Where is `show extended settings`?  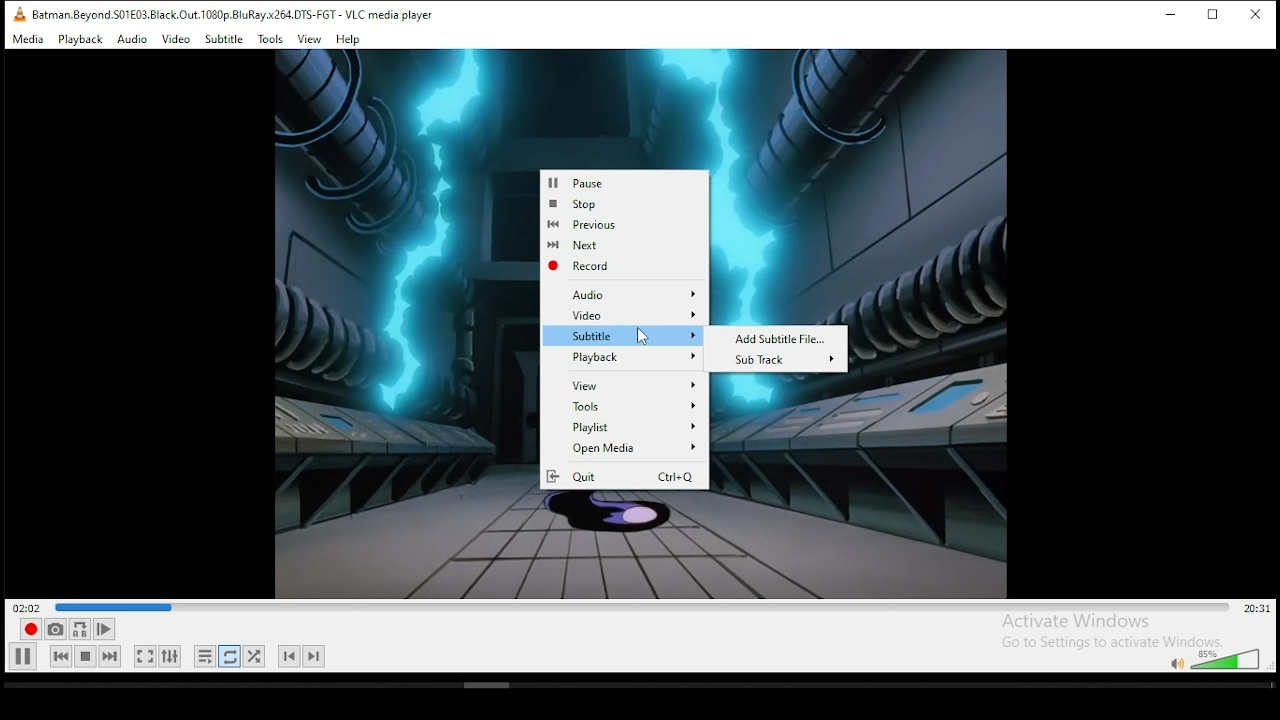 show extended settings is located at coordinates (170, 656).